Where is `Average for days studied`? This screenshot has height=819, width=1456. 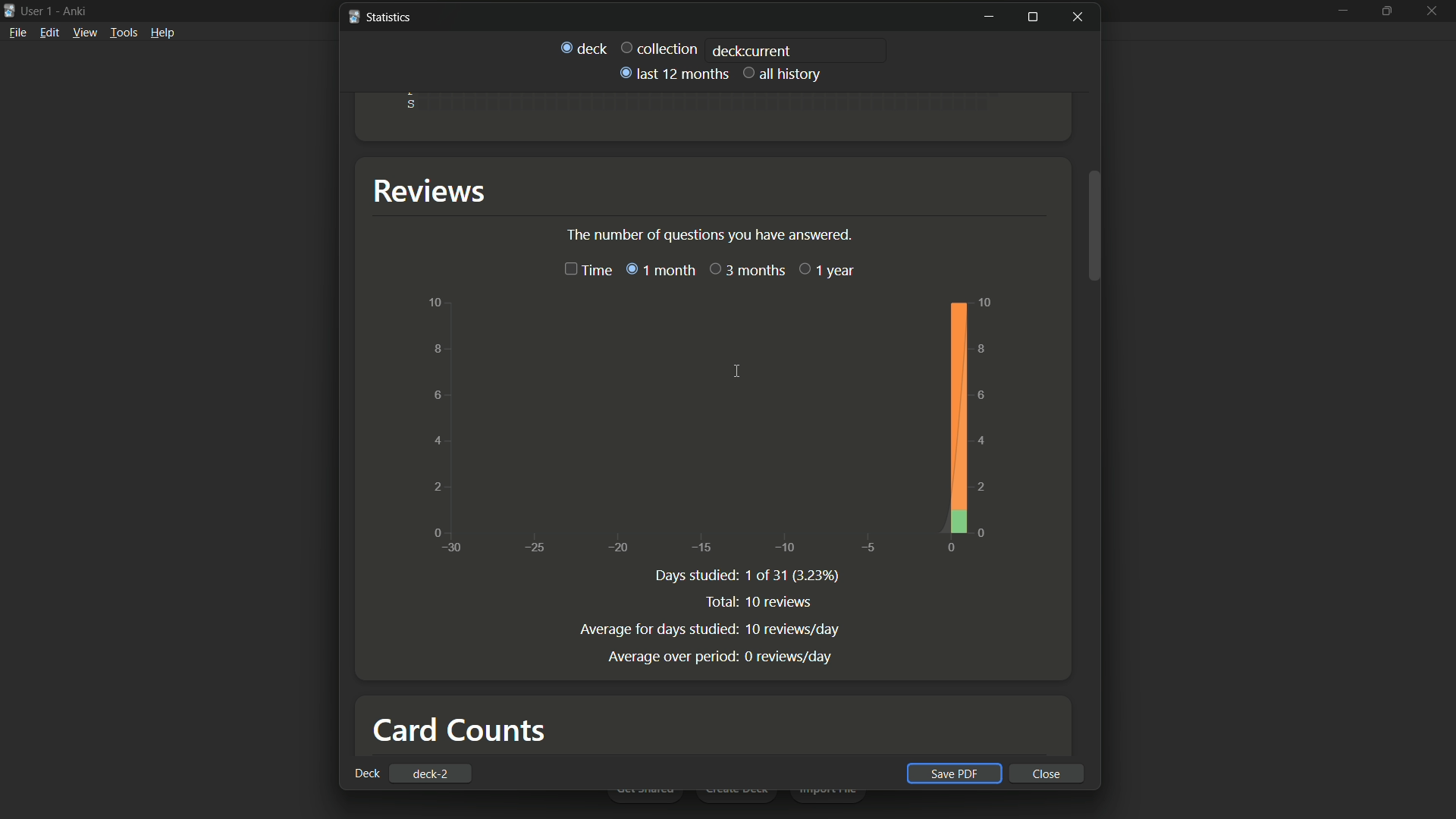 Average for days studied is located at coordinates (654, 629).